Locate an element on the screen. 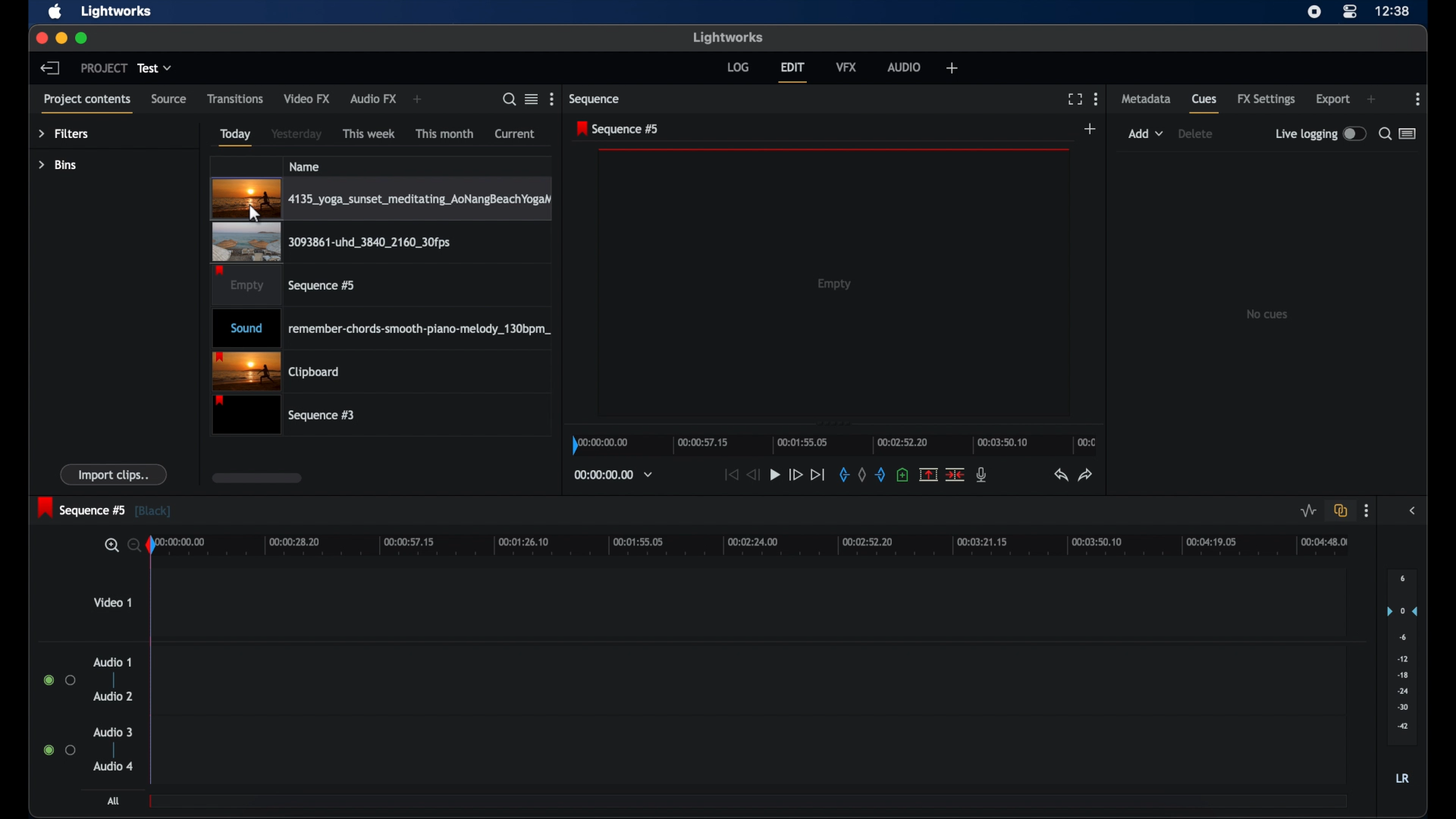  more options is located at coordinates (1419, 99).